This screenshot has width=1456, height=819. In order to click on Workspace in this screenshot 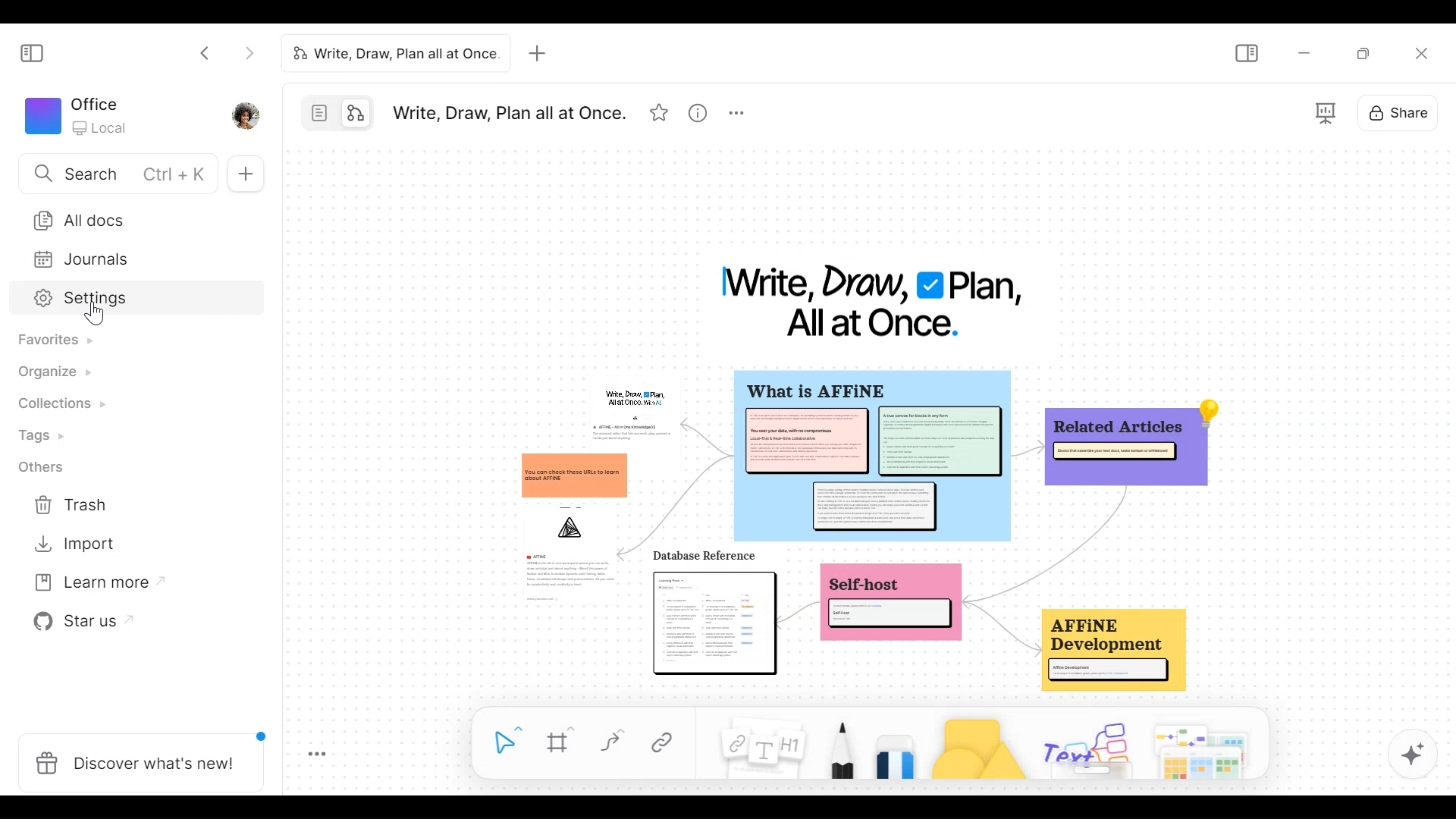, I will do `click(76, 115)`.